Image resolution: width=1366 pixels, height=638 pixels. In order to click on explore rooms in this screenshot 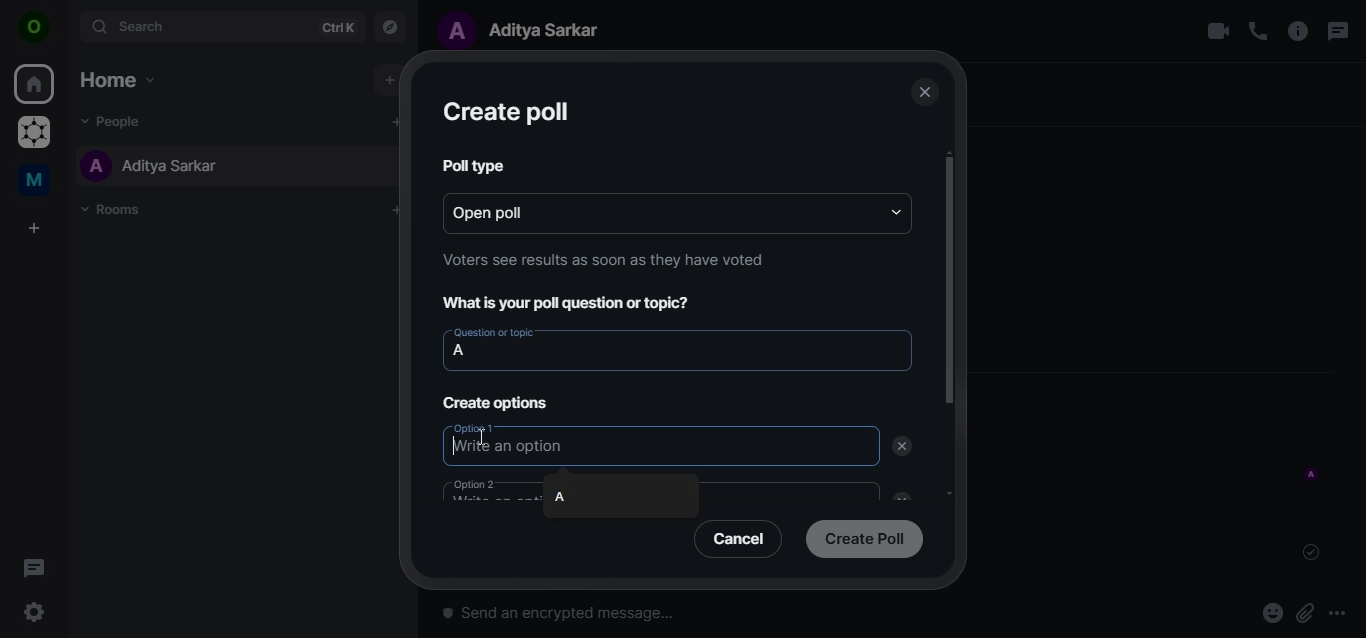, I will do `click(391, 25)`.